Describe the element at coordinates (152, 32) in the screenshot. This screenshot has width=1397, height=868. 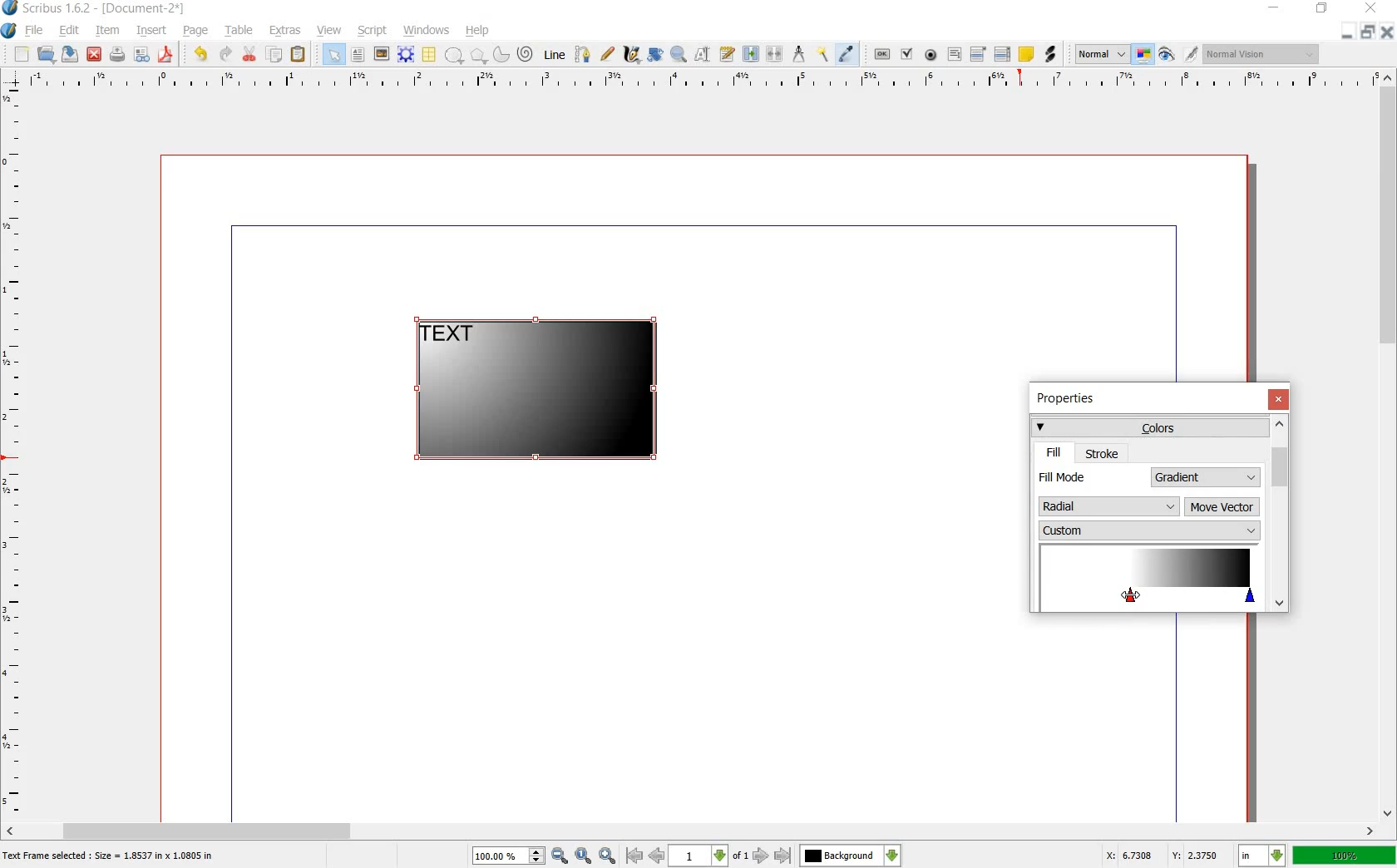
I see `insert` at that location.